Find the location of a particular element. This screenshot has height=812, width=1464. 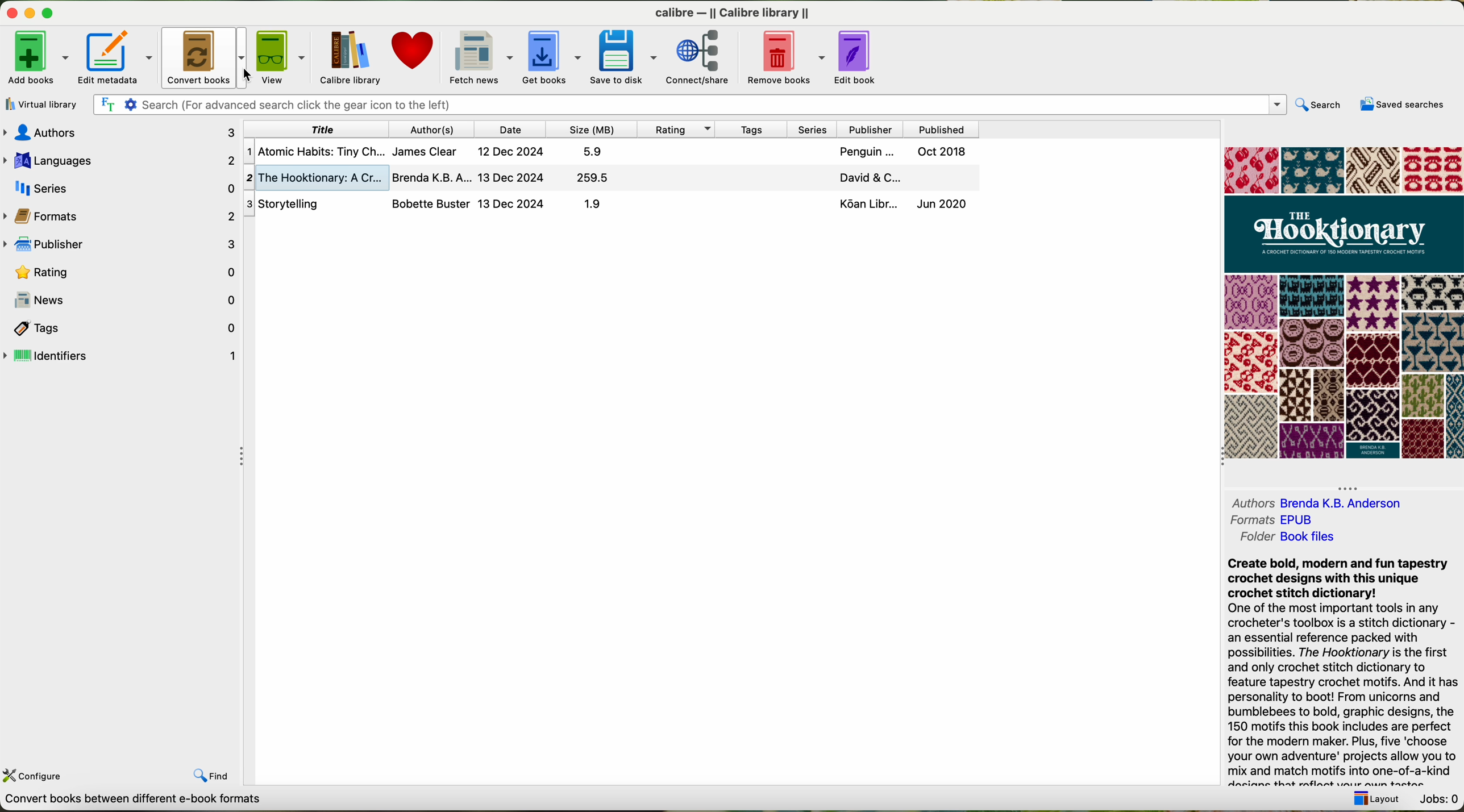

saved searches is located at coordinates (1401, 106).